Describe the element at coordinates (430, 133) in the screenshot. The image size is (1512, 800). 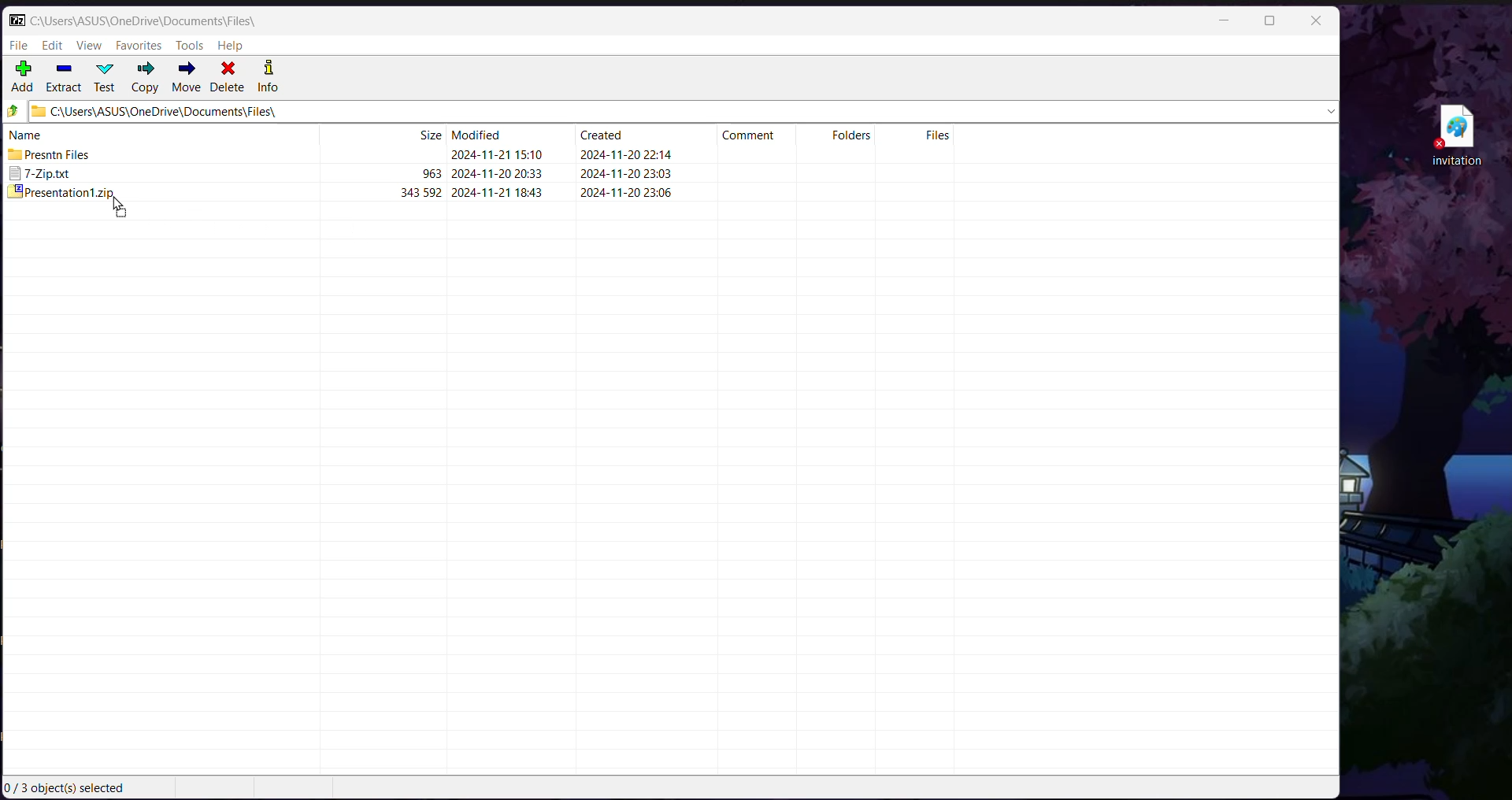
I see `Size` at that location.